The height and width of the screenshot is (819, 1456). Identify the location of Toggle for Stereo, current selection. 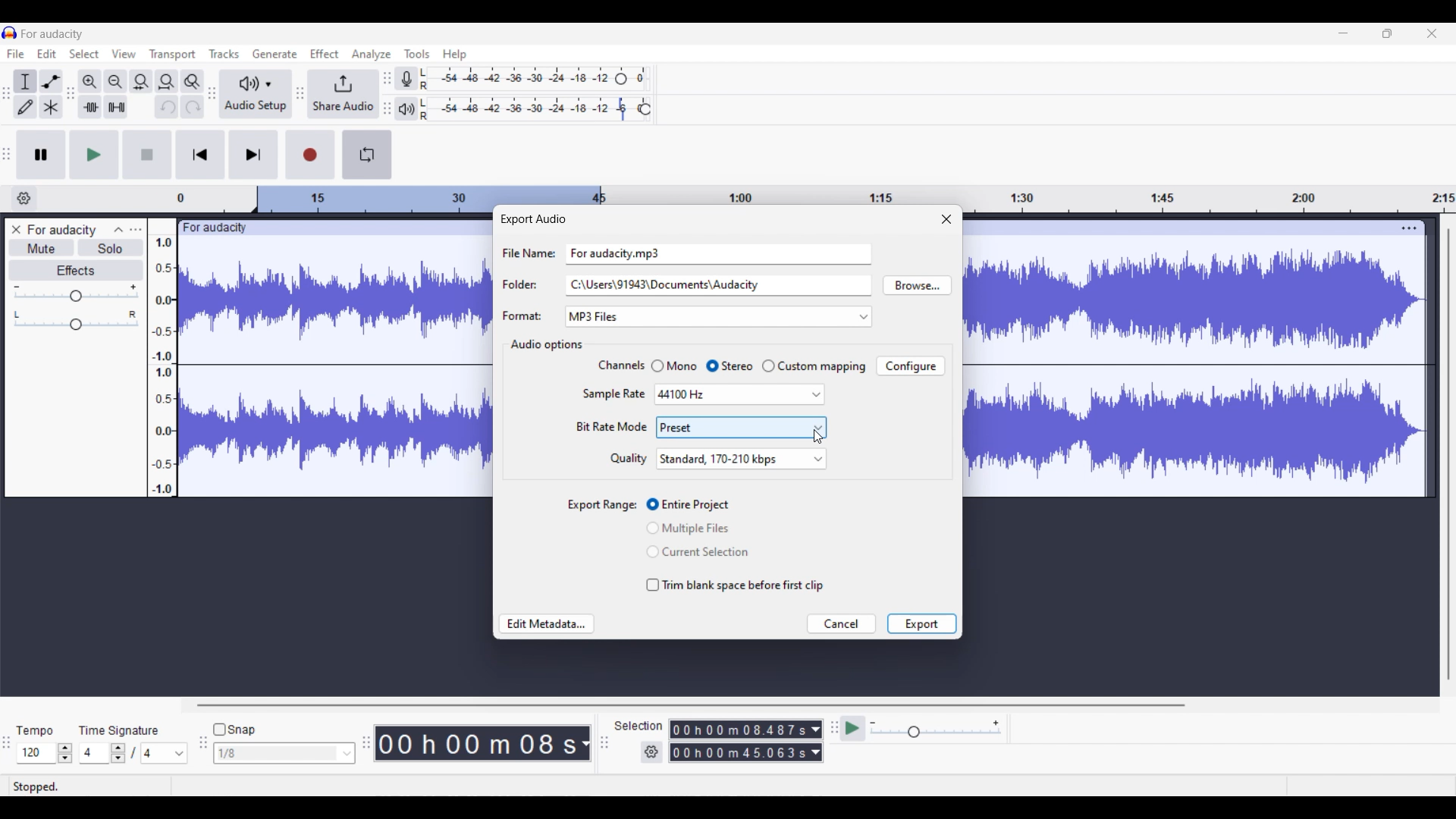
(730, 366).